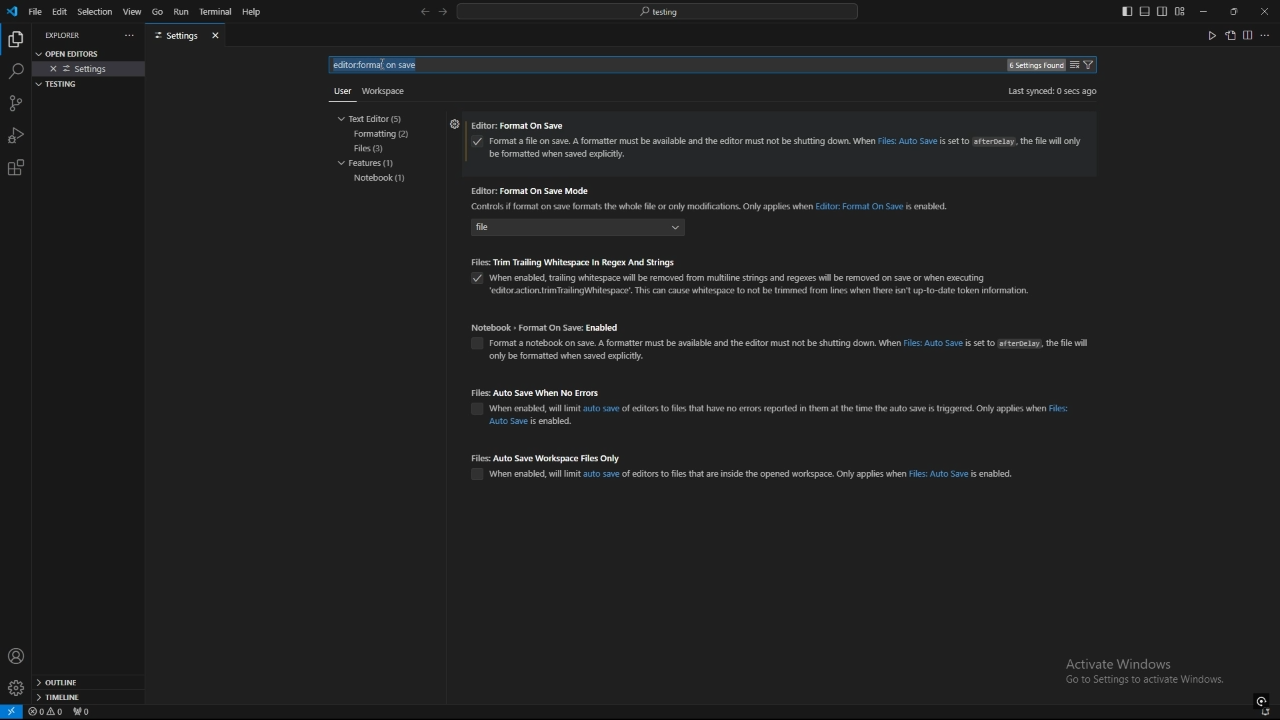 This screenshot has width=1280, height=720. What do you see at coordinates (94, 12) in the screenshot?
I see `selection` at bounding box center [94, 12].